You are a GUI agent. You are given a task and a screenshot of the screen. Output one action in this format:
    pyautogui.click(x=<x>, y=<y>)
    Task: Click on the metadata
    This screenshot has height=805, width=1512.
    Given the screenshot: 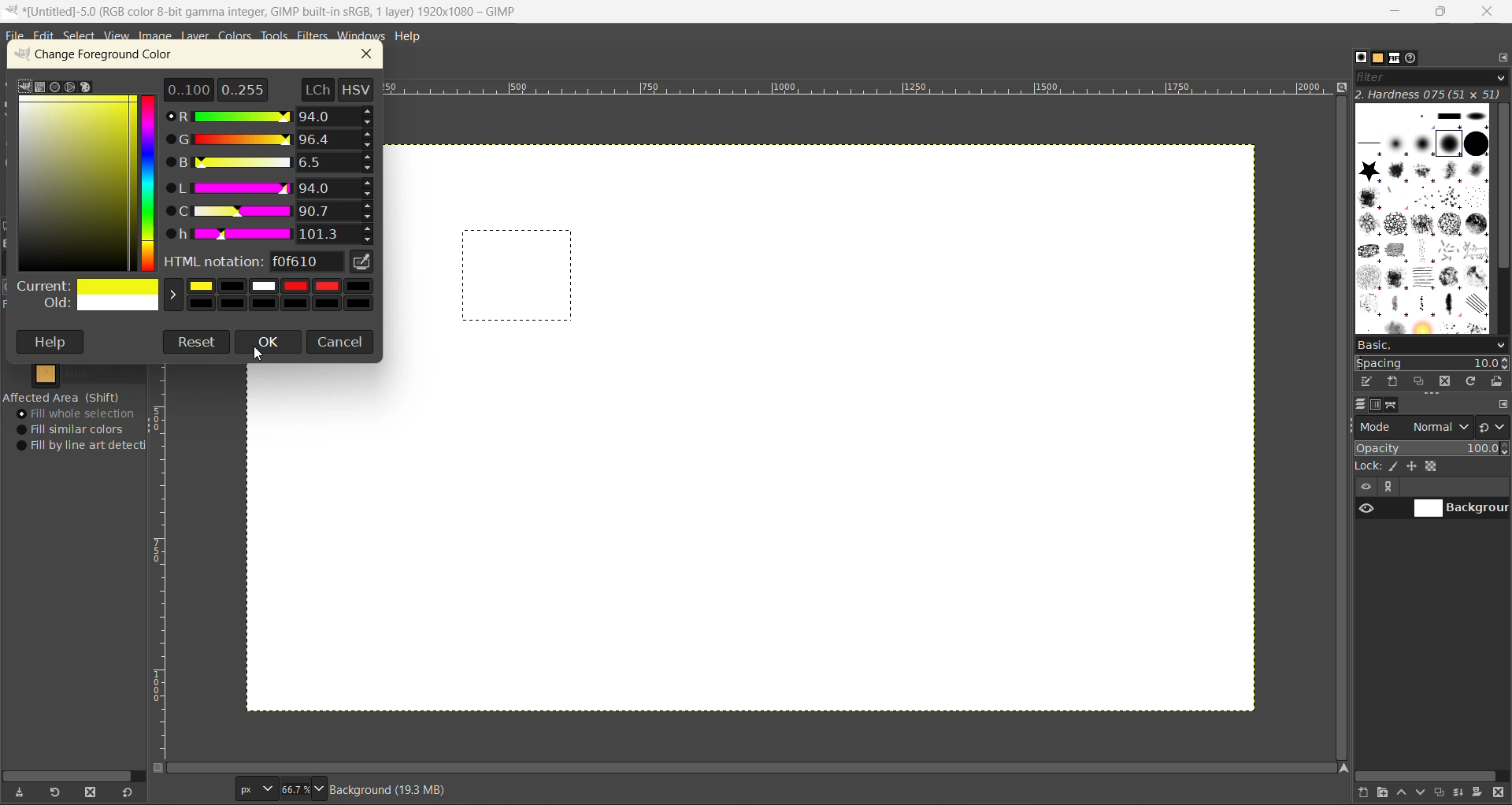 What is the action you would take?
    pyautogui.click(x=396, y=789)
    